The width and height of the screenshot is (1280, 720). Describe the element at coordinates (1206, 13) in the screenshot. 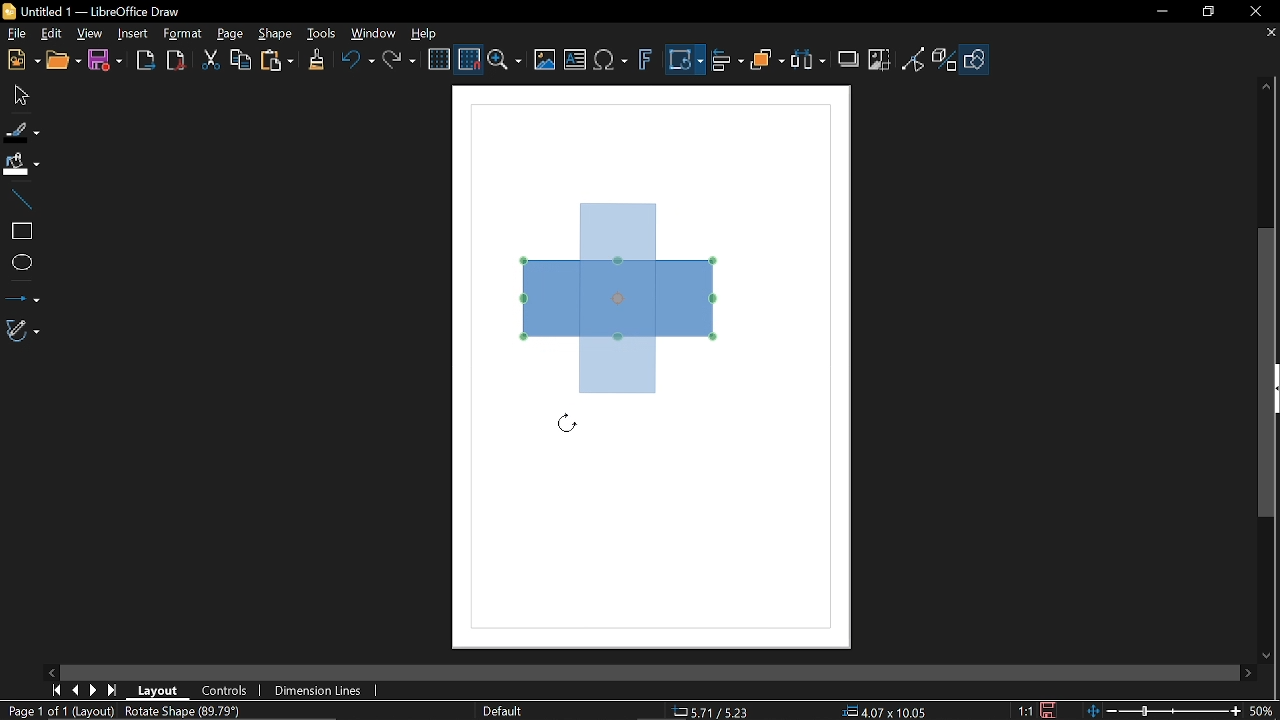

I see `restore down` at that location.